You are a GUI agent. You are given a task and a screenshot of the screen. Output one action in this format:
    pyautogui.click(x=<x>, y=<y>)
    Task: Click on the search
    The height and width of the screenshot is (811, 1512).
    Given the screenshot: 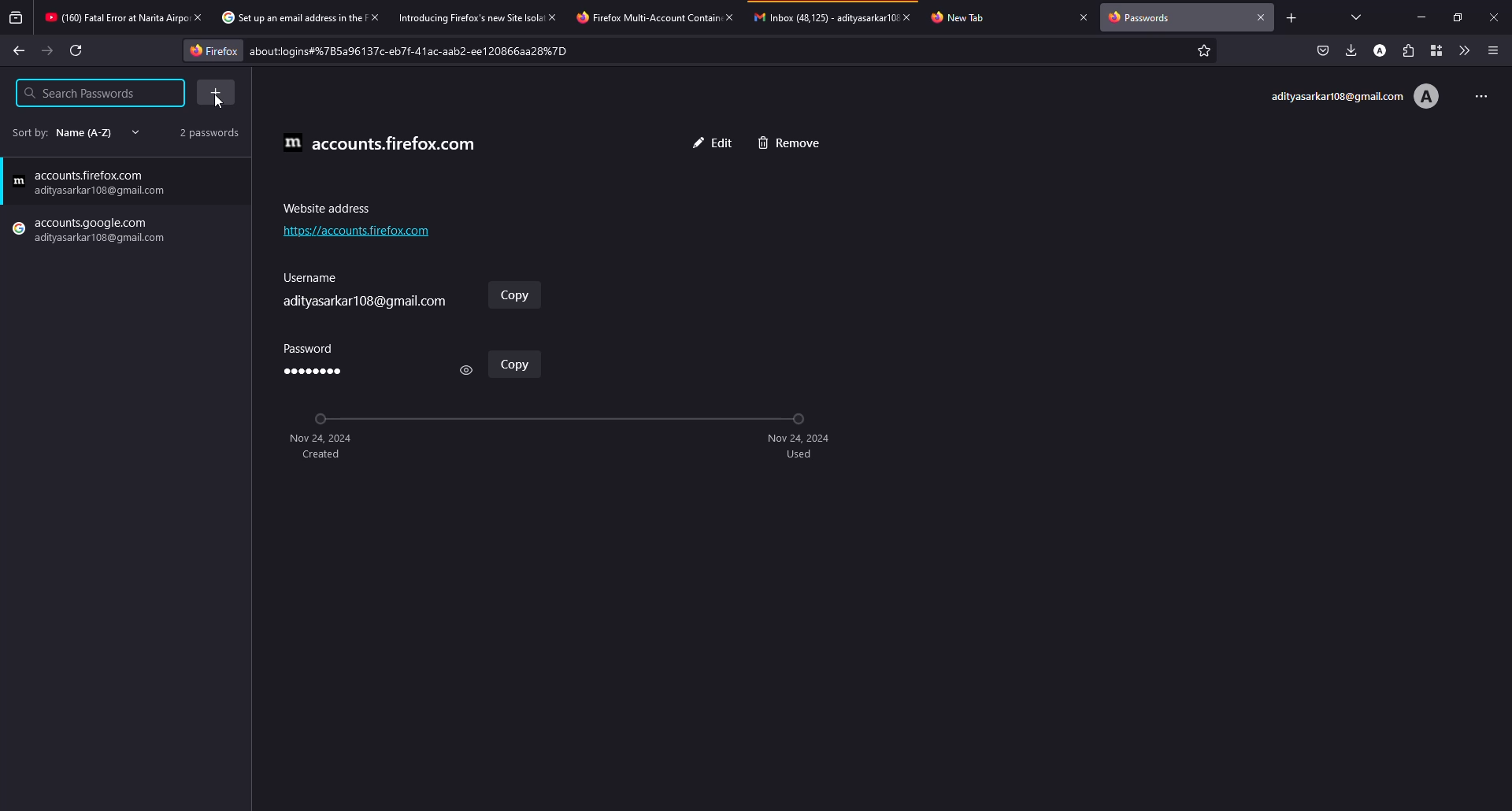 What is the action you would take?
    pyautogui.click(x=79, y=93)
    